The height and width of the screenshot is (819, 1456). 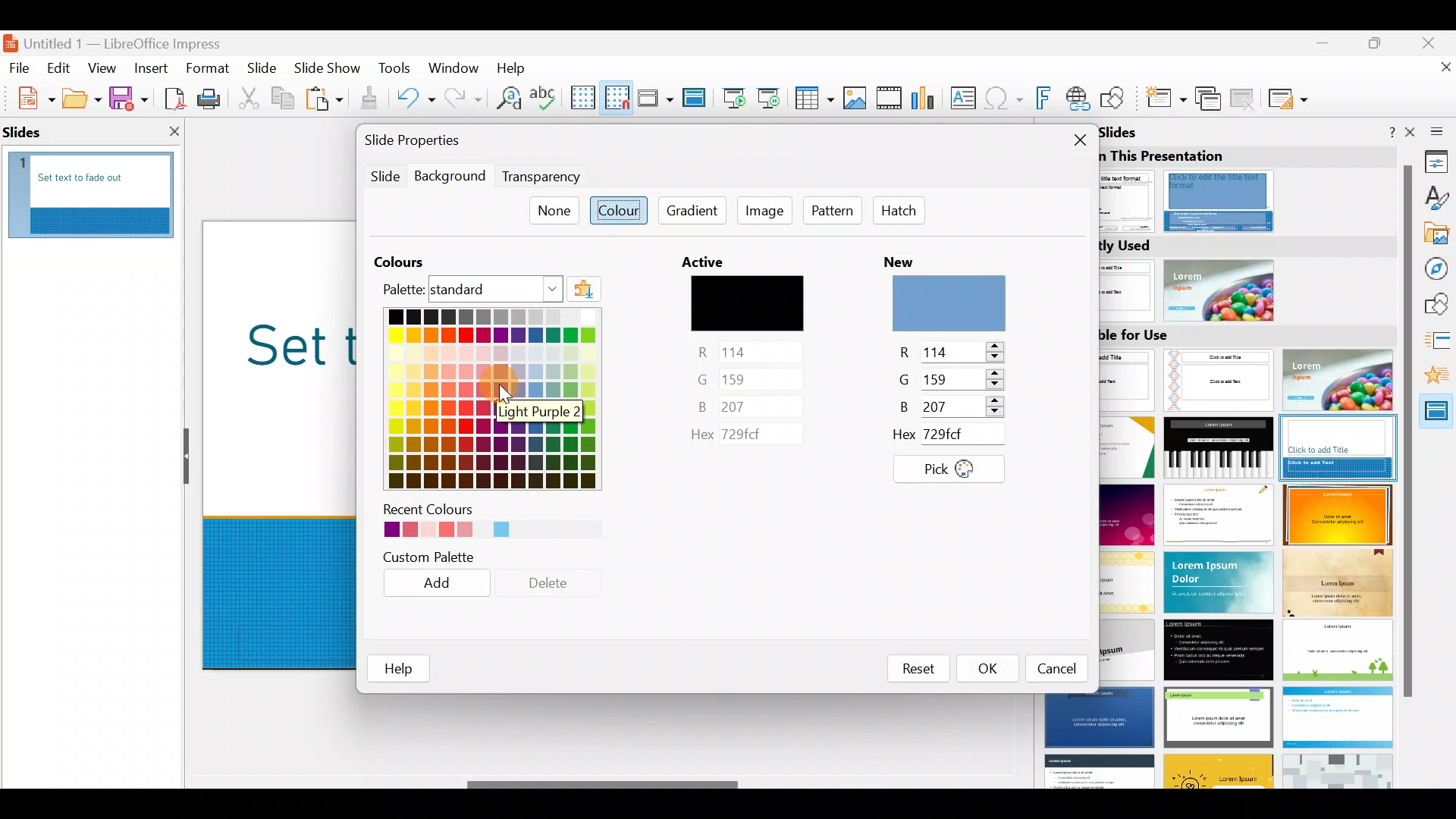 I want to click on Cut, so click(x=251, y=99).